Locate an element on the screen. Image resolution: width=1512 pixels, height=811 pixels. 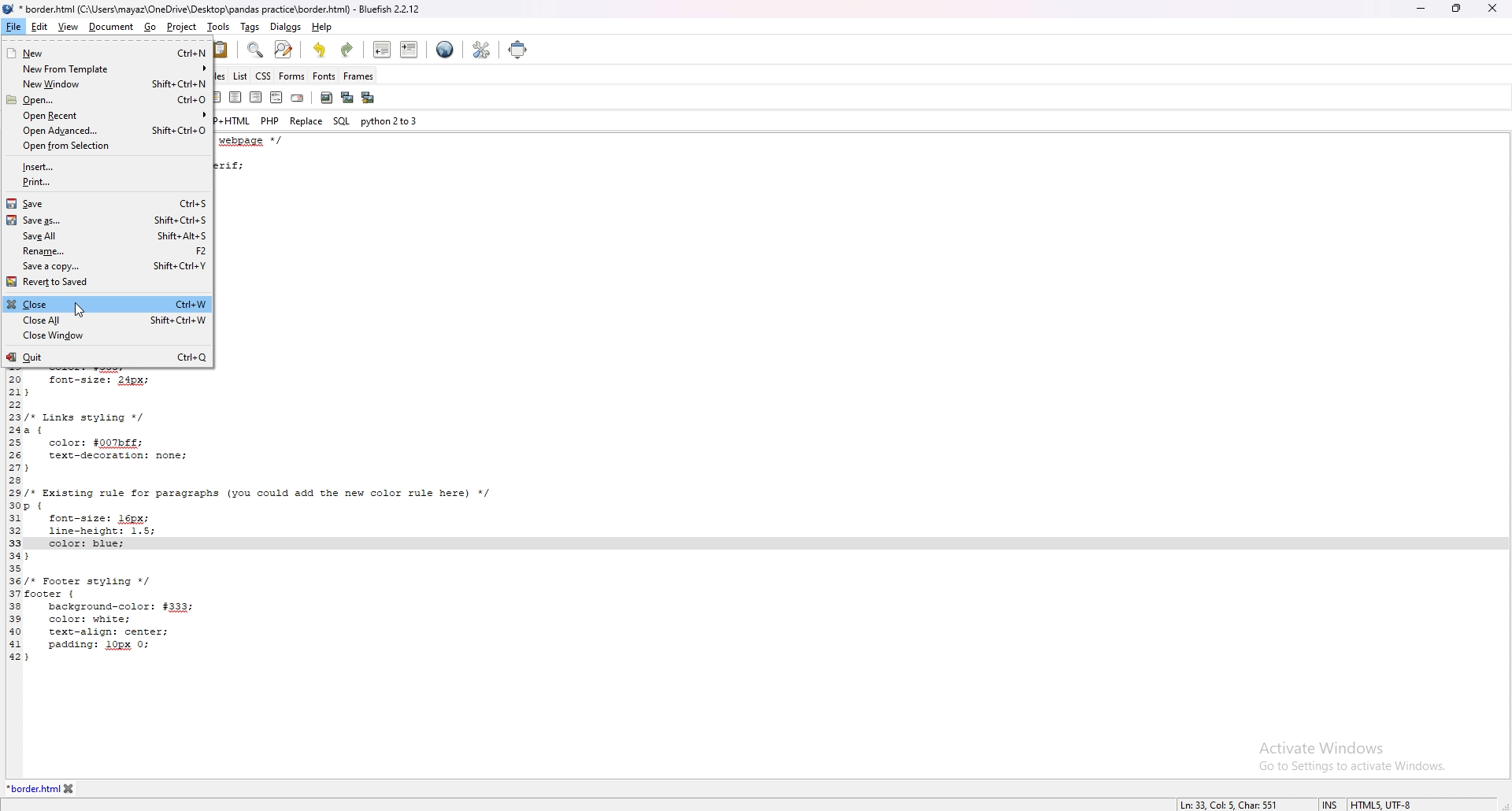
close tab is located at coordinates (69, 788).